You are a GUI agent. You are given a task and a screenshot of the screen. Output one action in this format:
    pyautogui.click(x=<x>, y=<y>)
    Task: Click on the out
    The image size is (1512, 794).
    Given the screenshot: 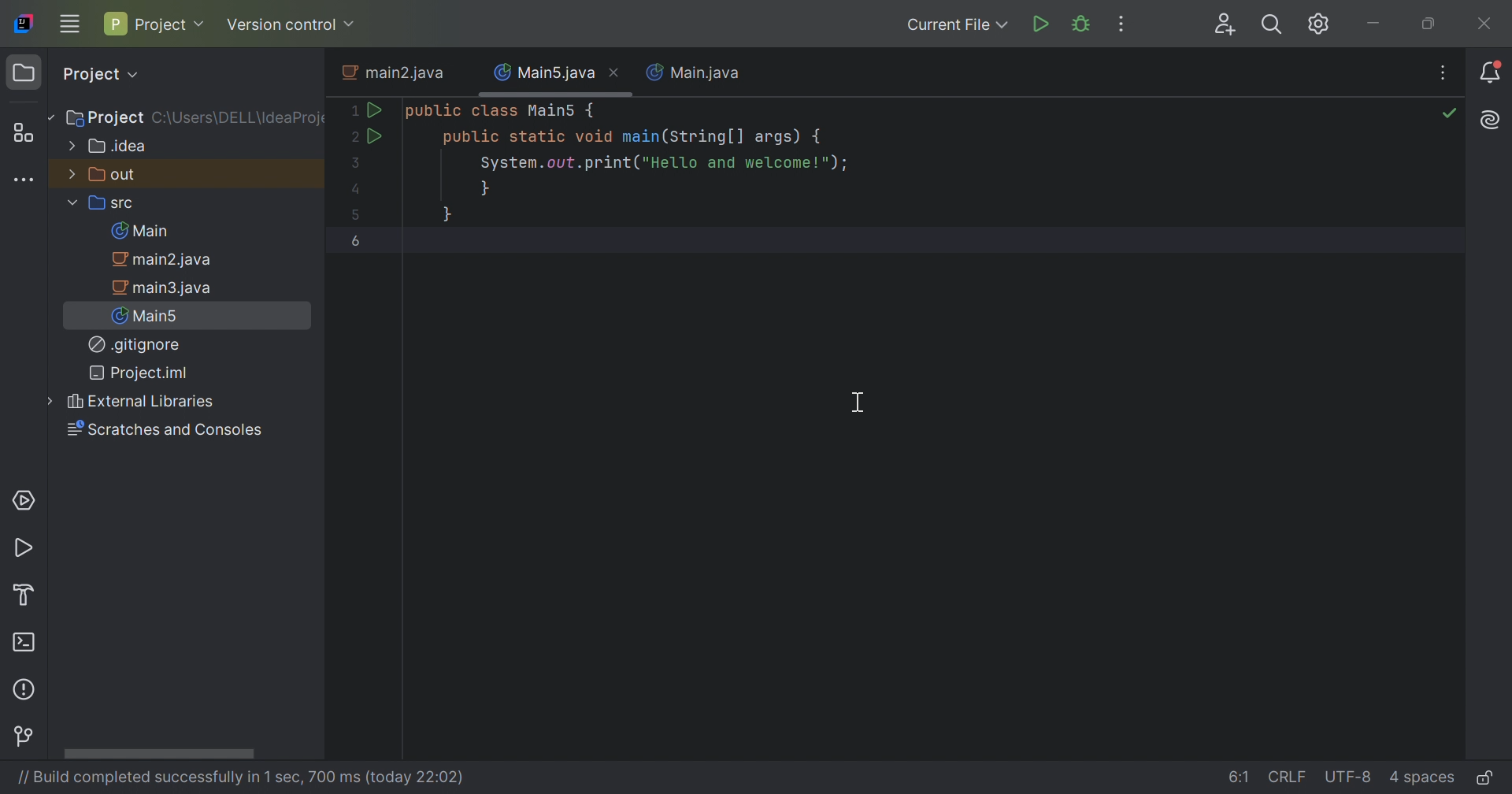 What is the action you would take?
    pyautogui.click(x=103, y=173)
    